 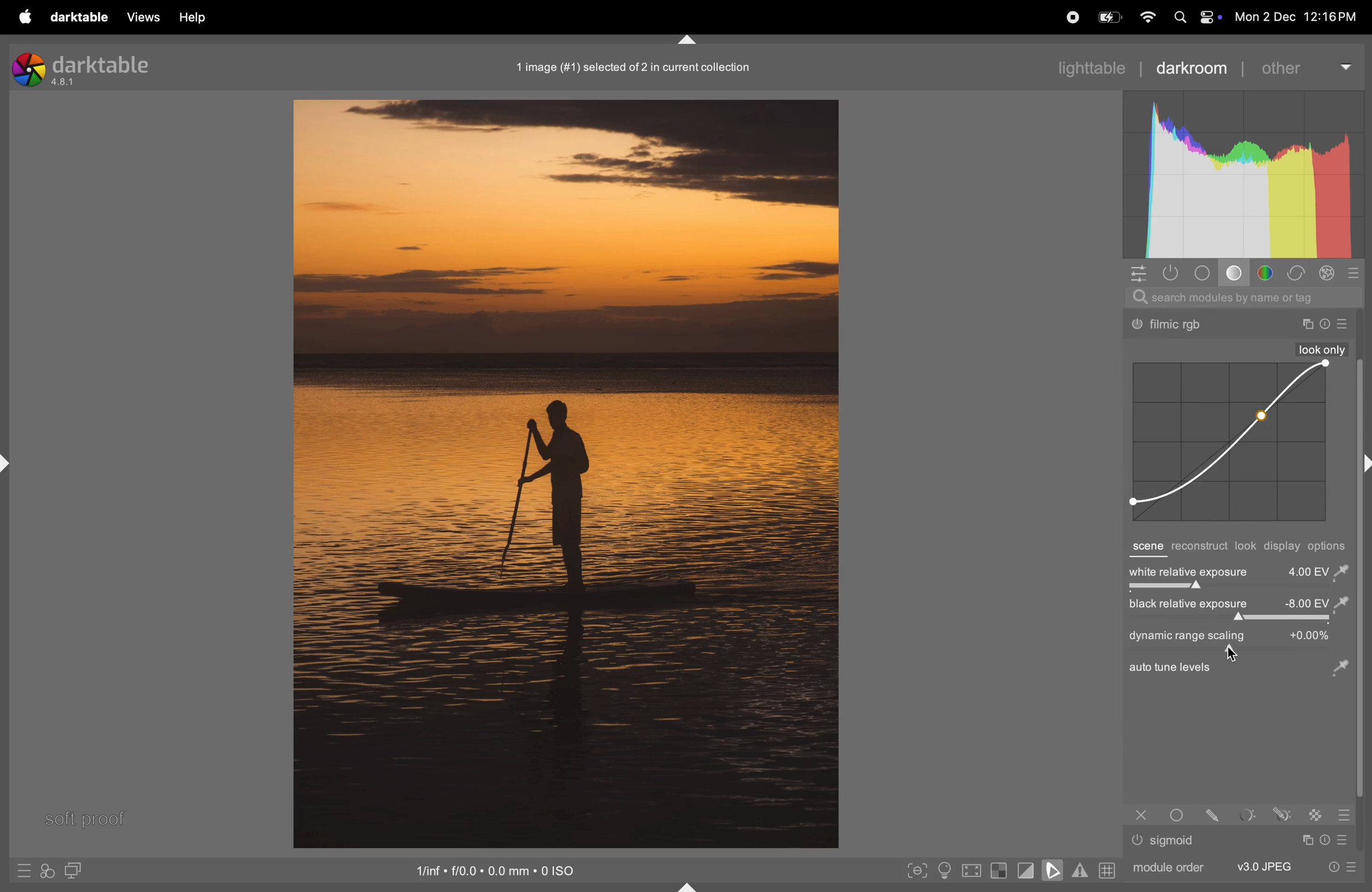 I want to click on color, so click(x=1269, y=273).